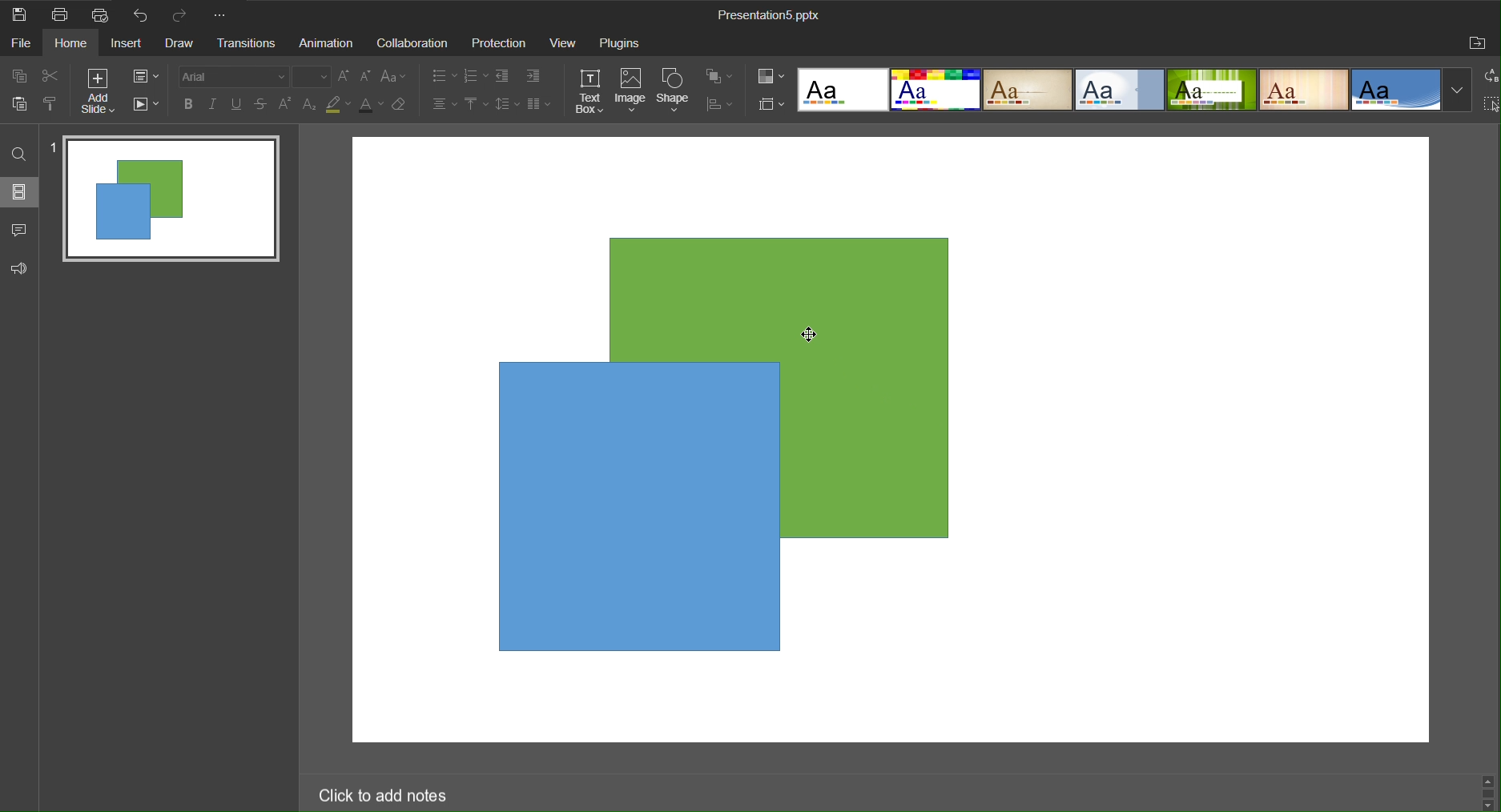  I want to click on Draw, so click(185, 44).